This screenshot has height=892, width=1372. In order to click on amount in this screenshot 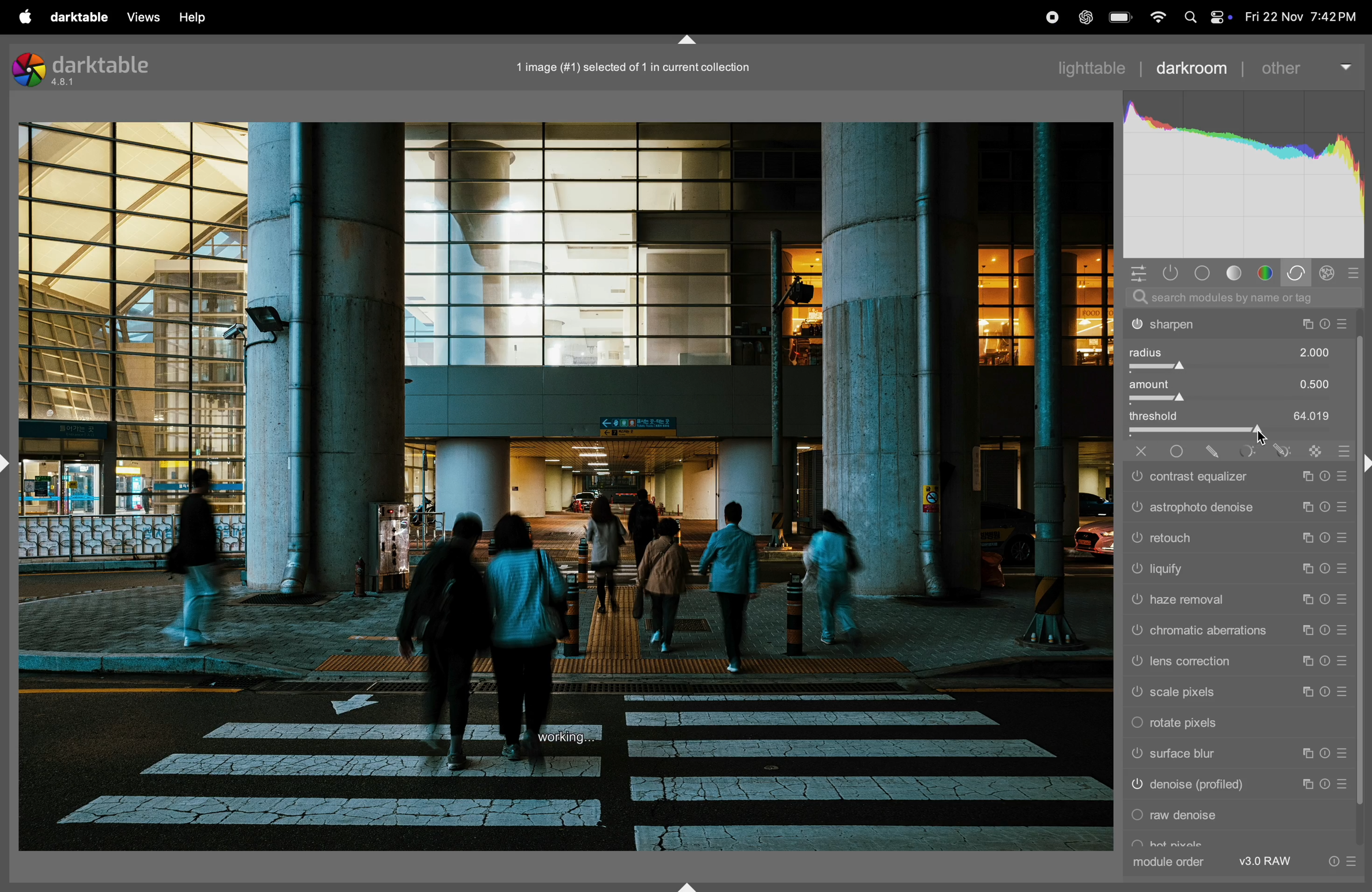, I will do `click(1240, 391)`.